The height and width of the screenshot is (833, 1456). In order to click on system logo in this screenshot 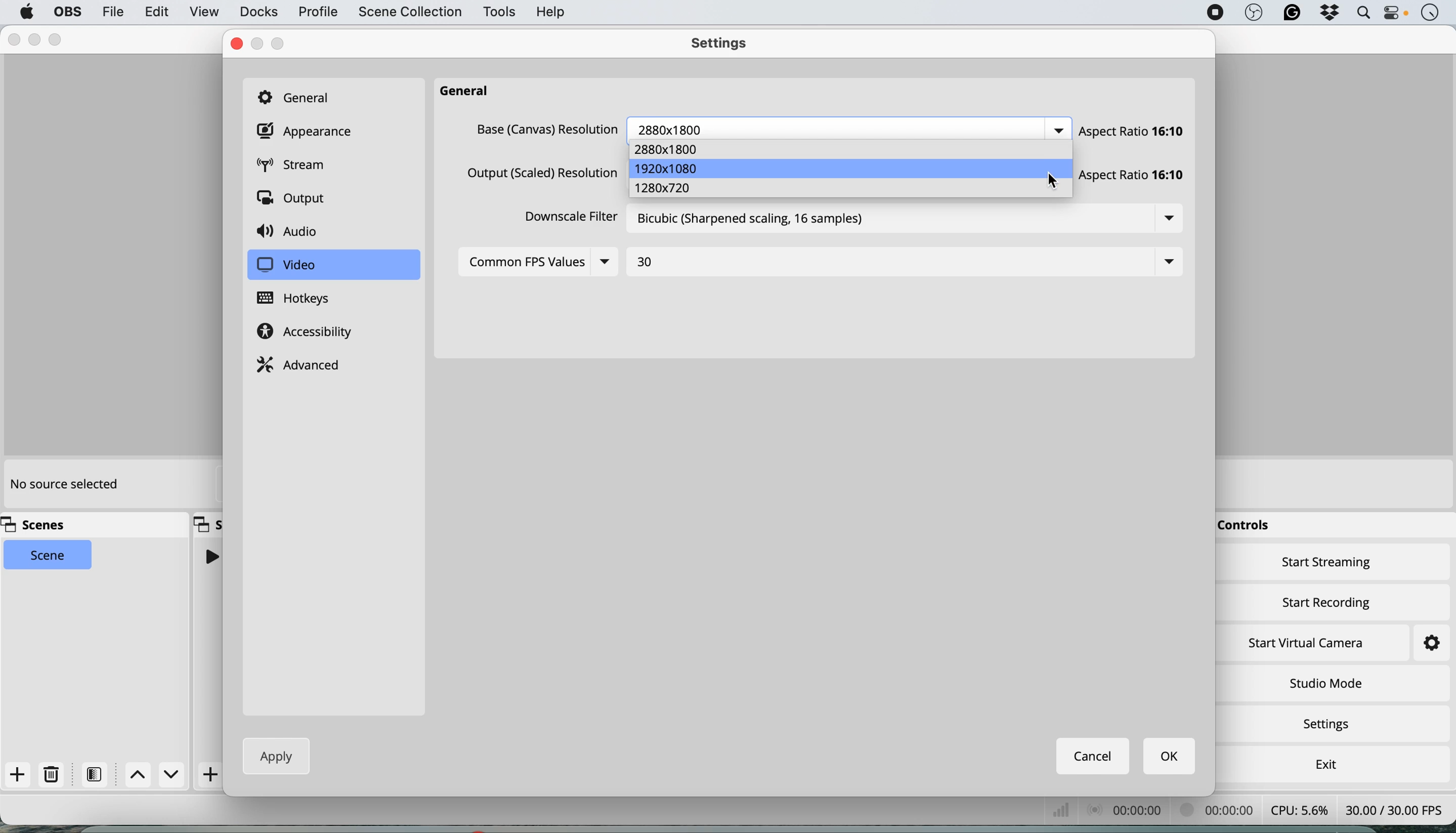, I will do `click(27, 12)`.